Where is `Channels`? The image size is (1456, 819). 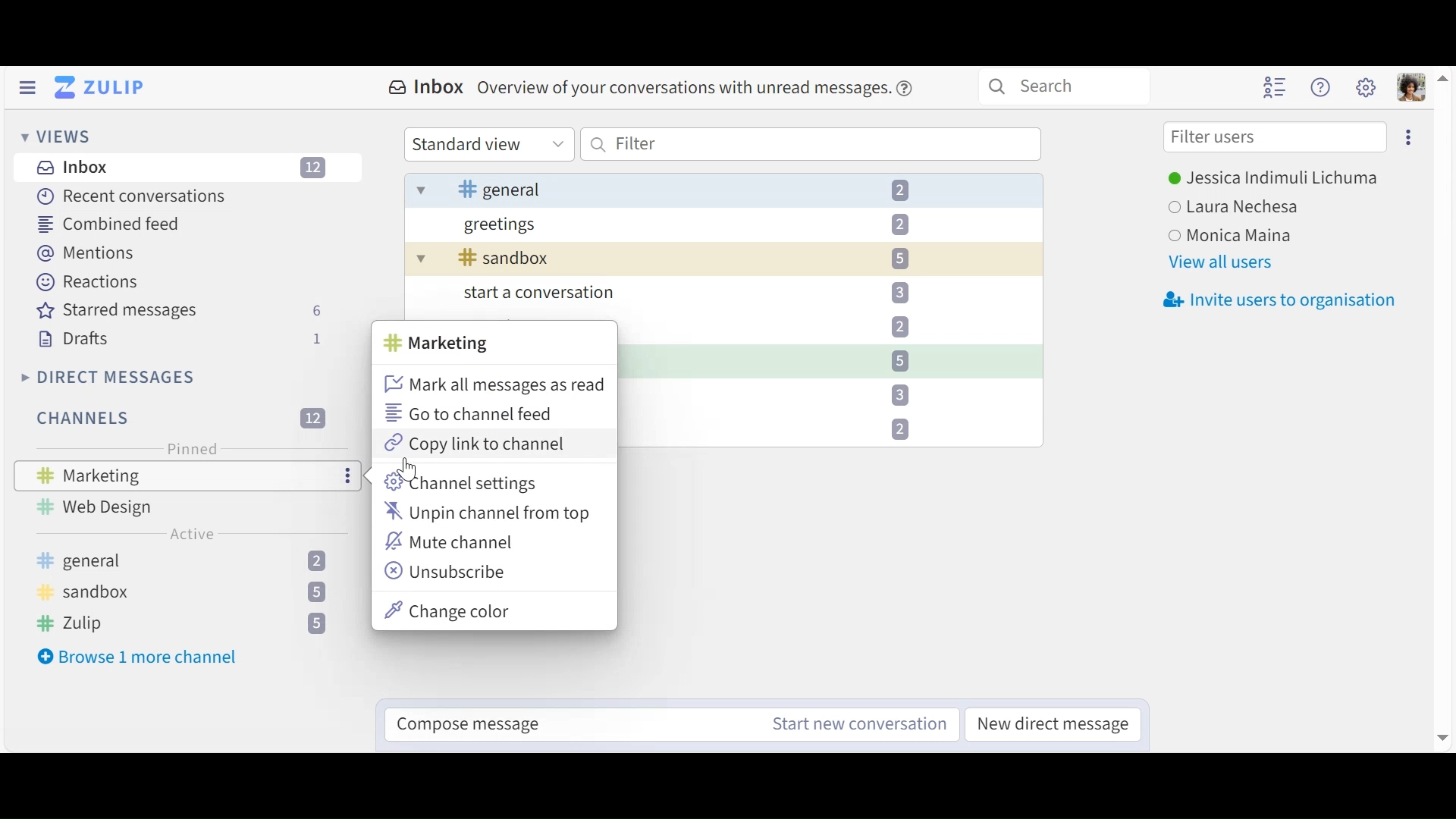 Channels is located at coordinates (192, 592).